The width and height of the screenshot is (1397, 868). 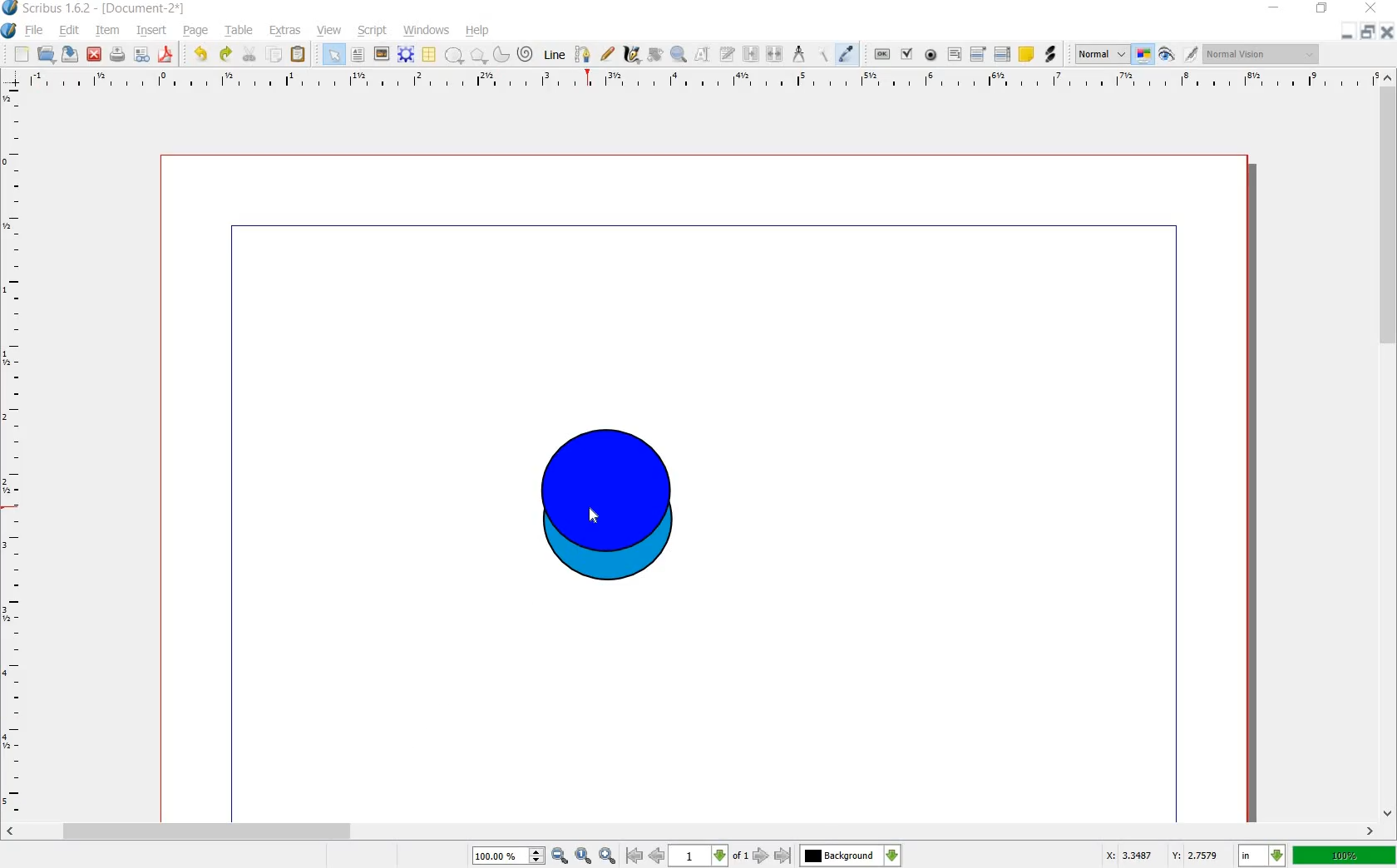 I want to click on select current unit, so click(x=1261, y=856).